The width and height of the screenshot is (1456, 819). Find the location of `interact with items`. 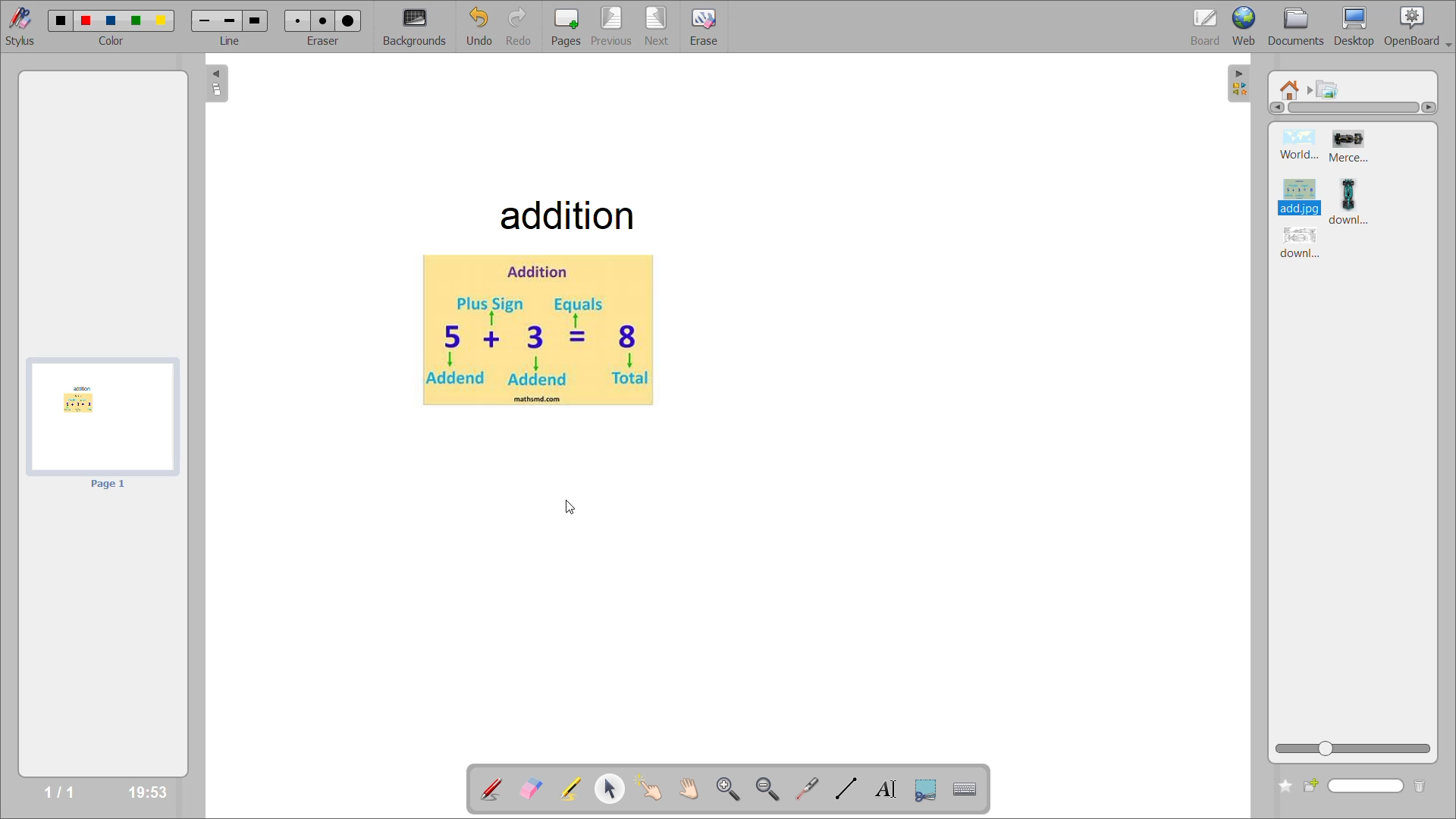

interact with items is located at coordinates (654, 789).